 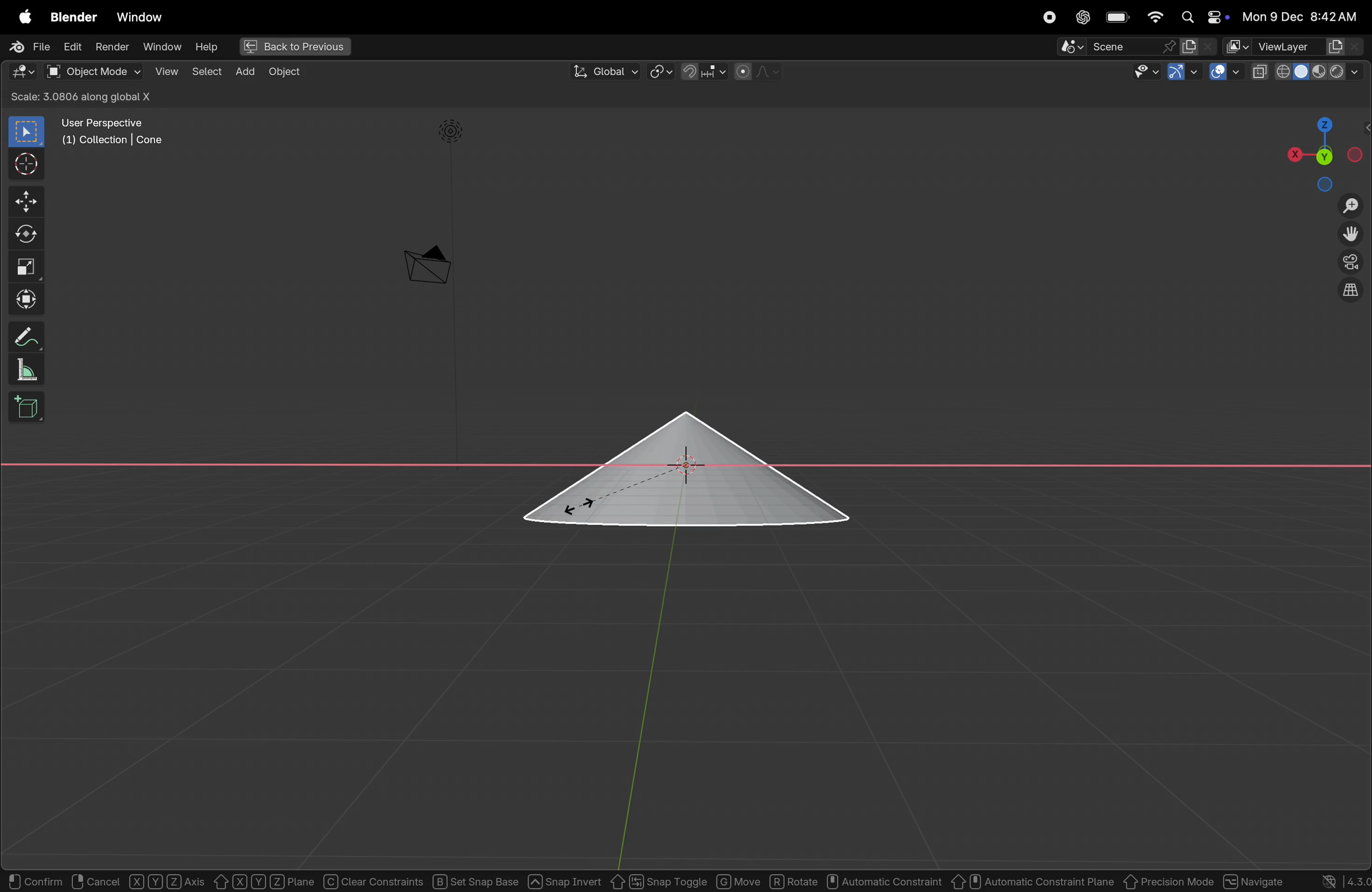 What do you see at coordinates (29, 46) in the screenshot?
I see `File` at bounding box center [29, 46].